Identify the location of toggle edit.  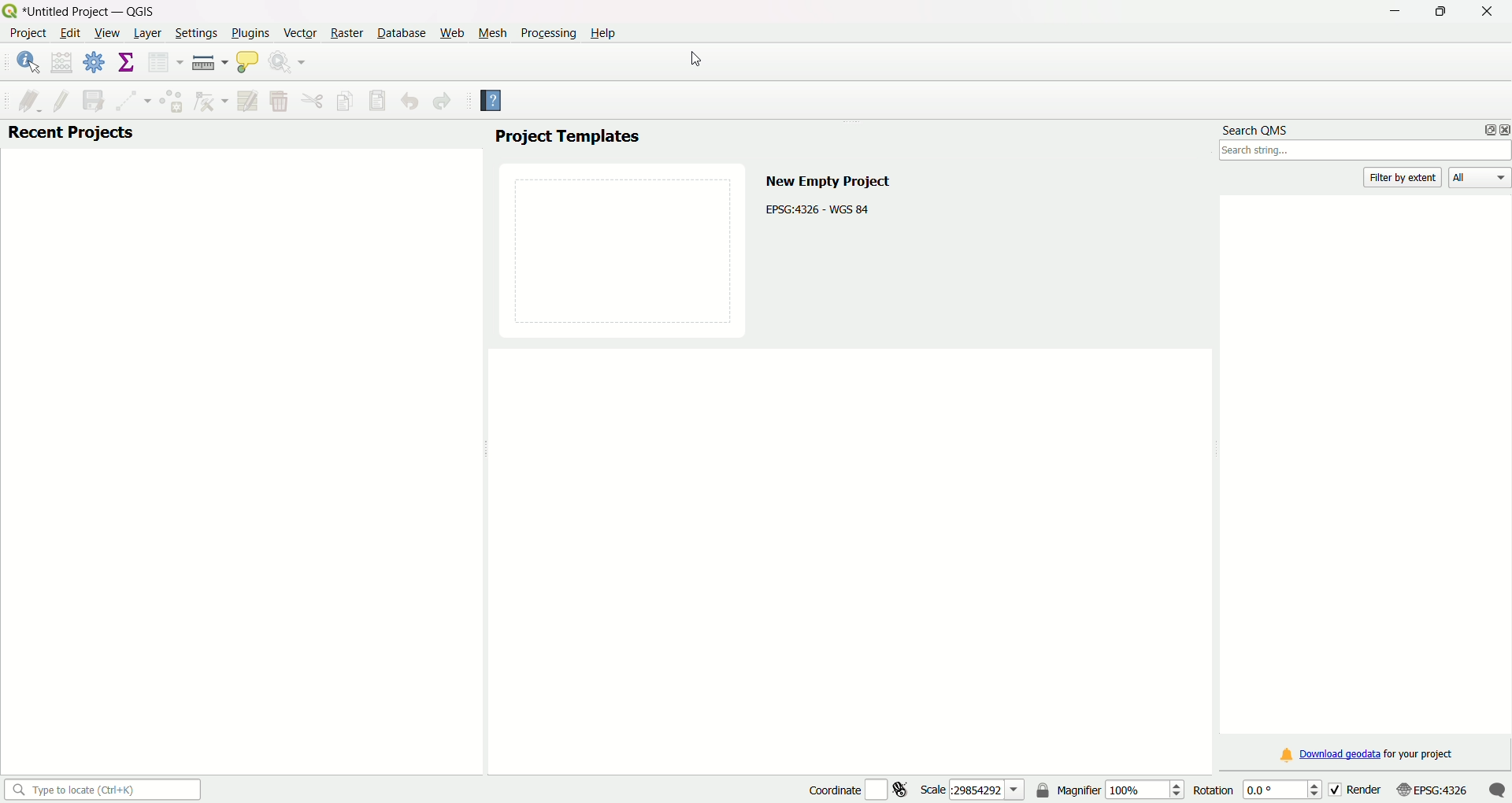
(61, 99).